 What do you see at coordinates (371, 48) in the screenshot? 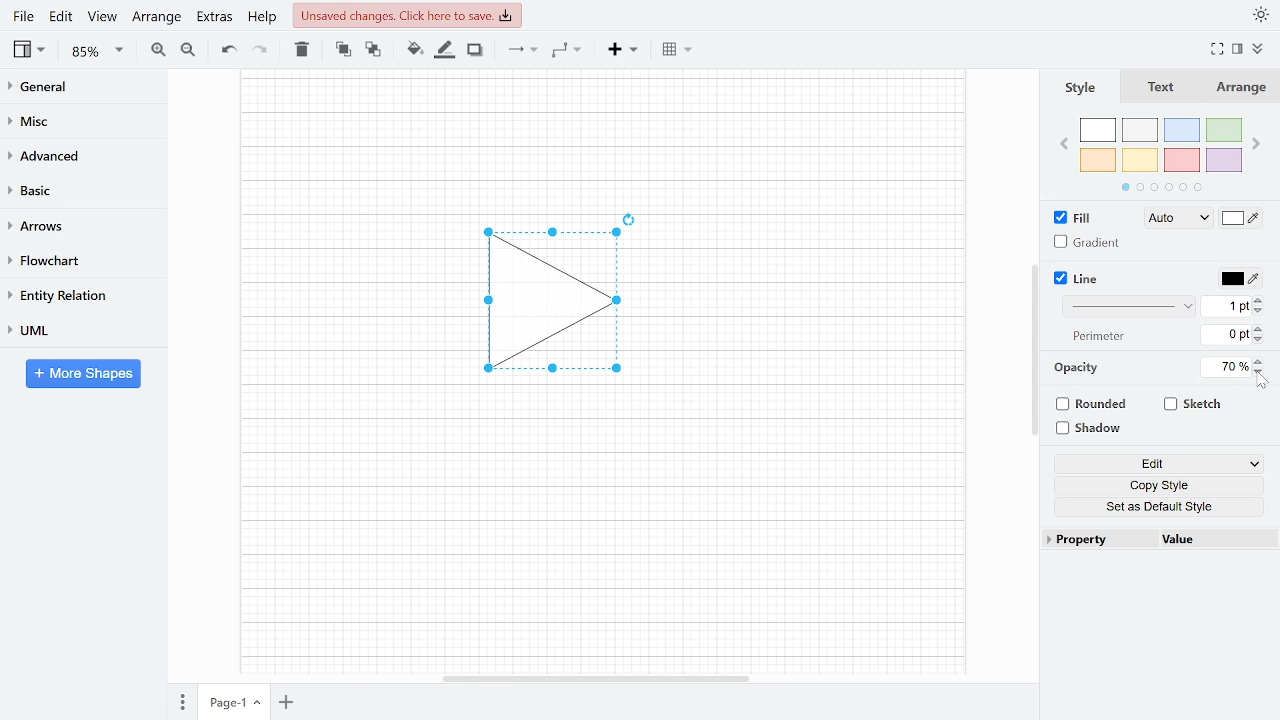
I see `To back` at bounding box center [371, 48].